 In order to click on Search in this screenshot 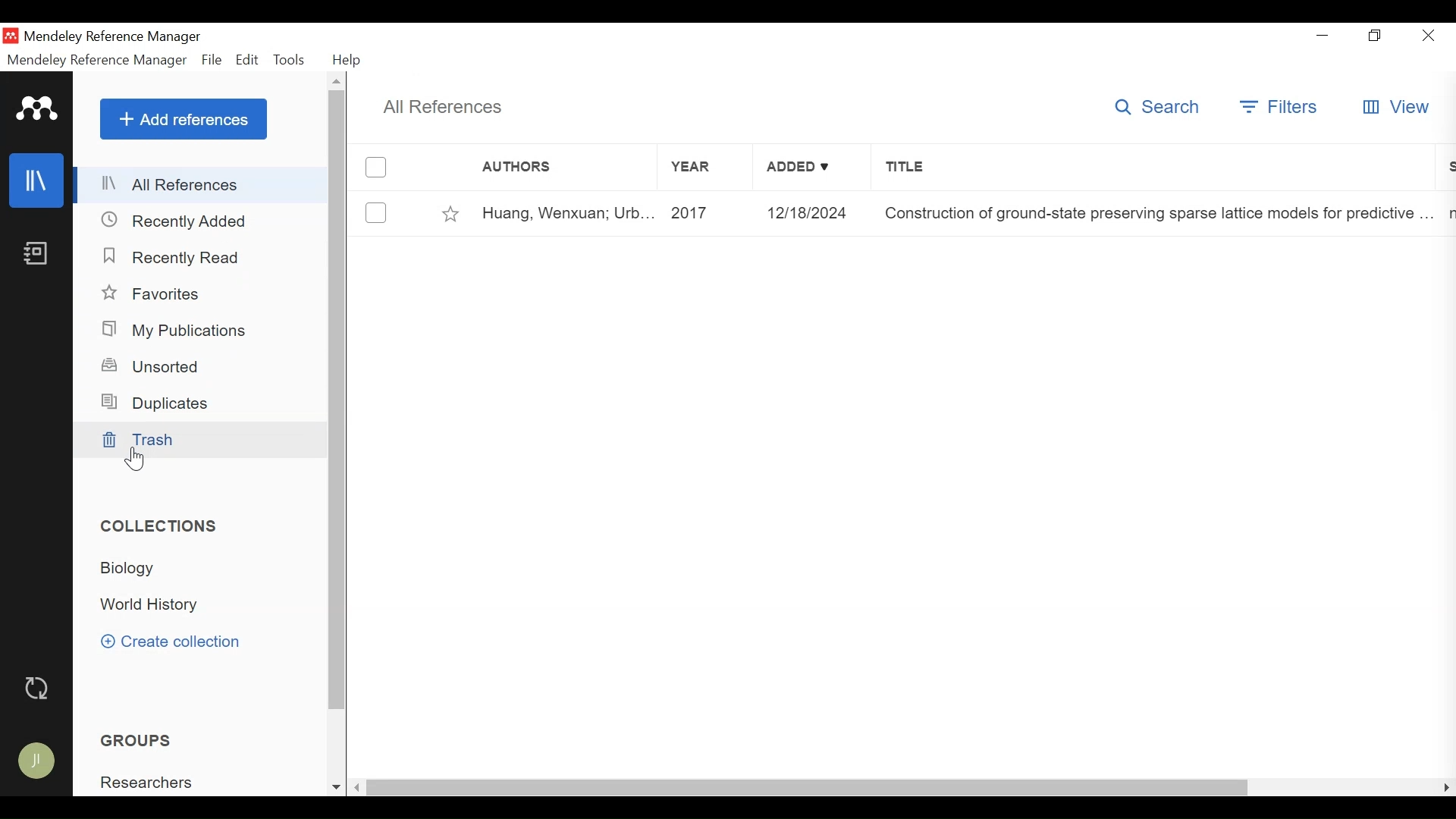, I will do `click(1158, 107)`.